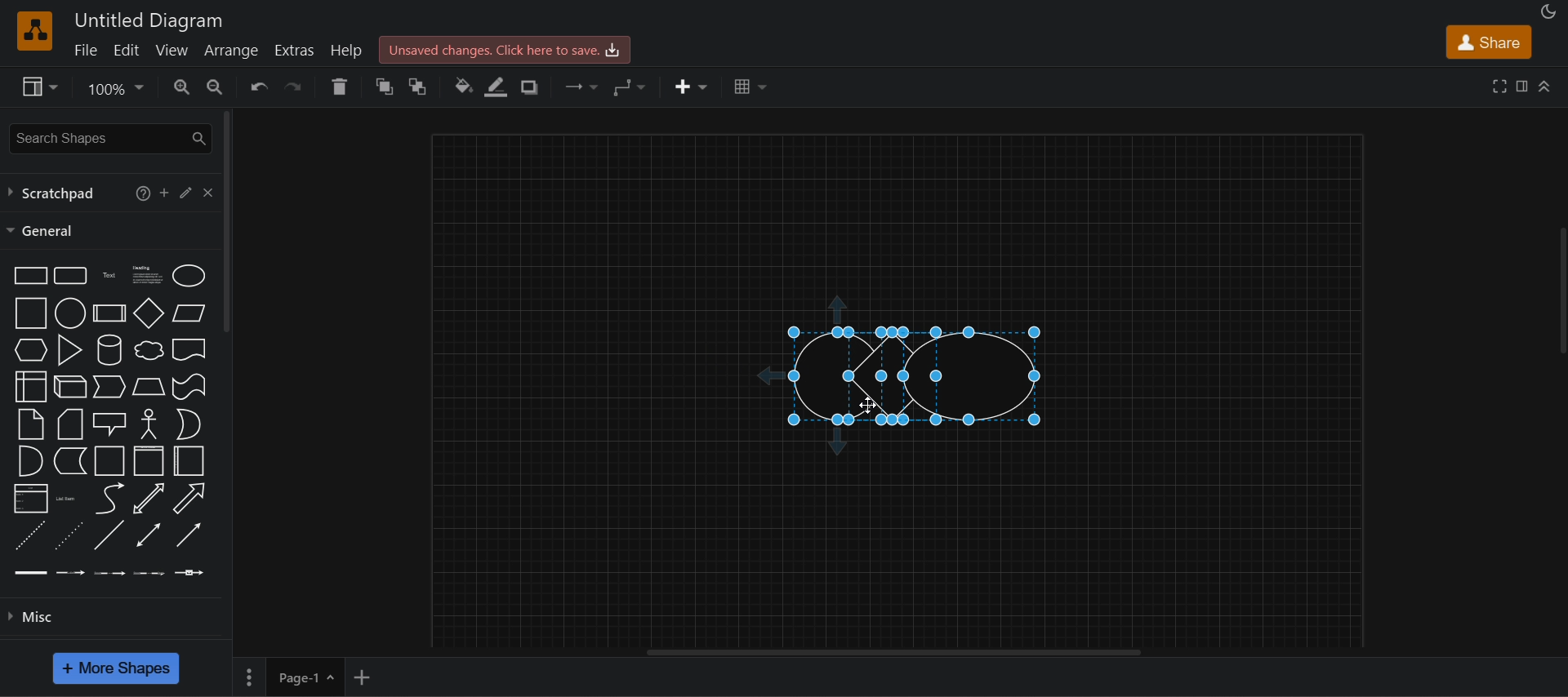 The image size is (1568, 697). Describe the element at coordinates (189, 349) in the screenshot. I see `document` at that location.